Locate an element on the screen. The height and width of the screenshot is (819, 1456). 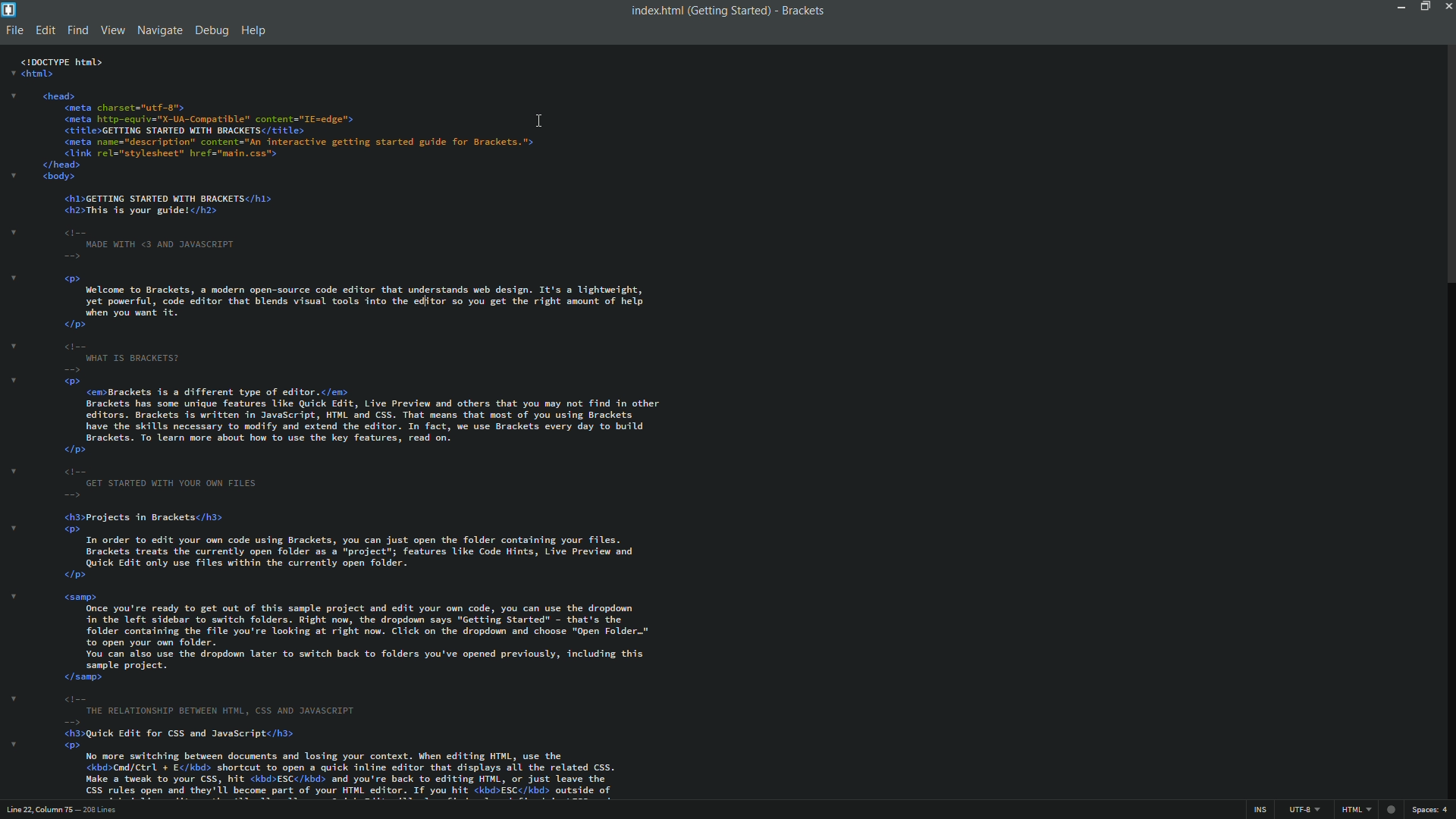
dropdown is located at coordinates (13, 344).